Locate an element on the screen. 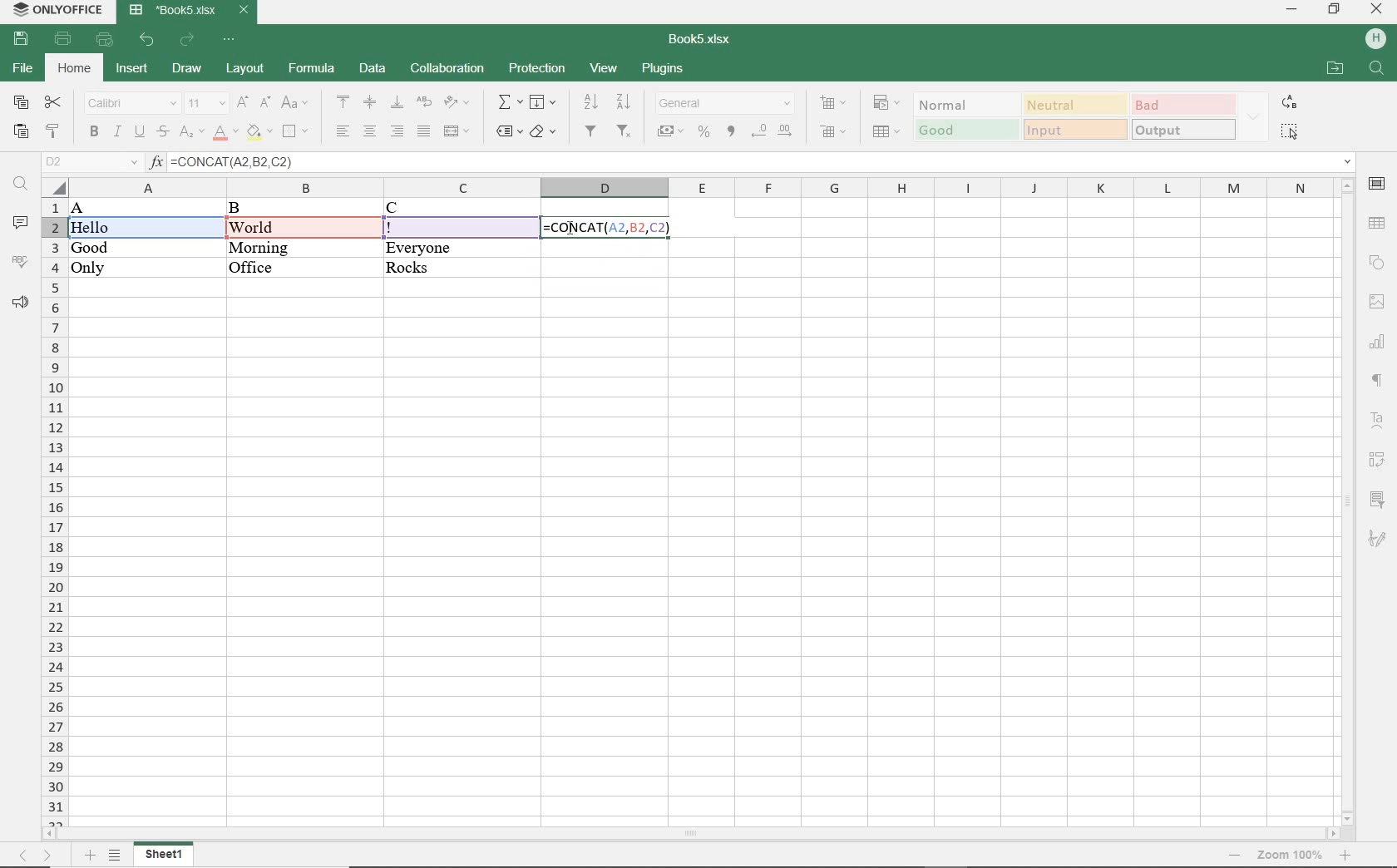  ROWS is located at coordinates (53, 510).